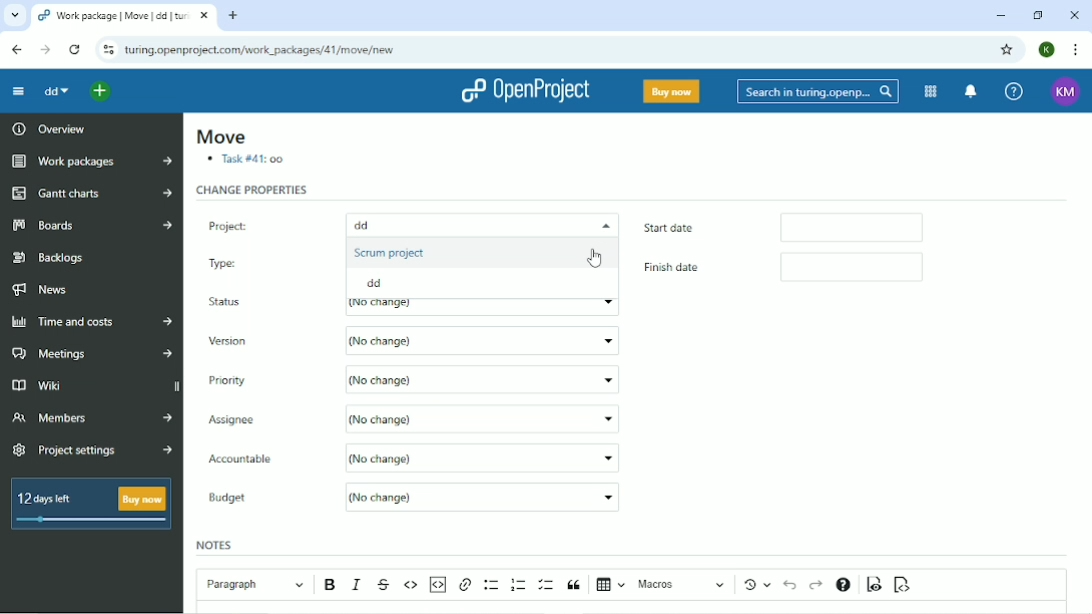 Image resolution: width=1092 pixels, height=614 pixels. What do you see at coordinates (392, 252) in the screenshot?
I see `Scrum project` at bounding box center [392, 252].